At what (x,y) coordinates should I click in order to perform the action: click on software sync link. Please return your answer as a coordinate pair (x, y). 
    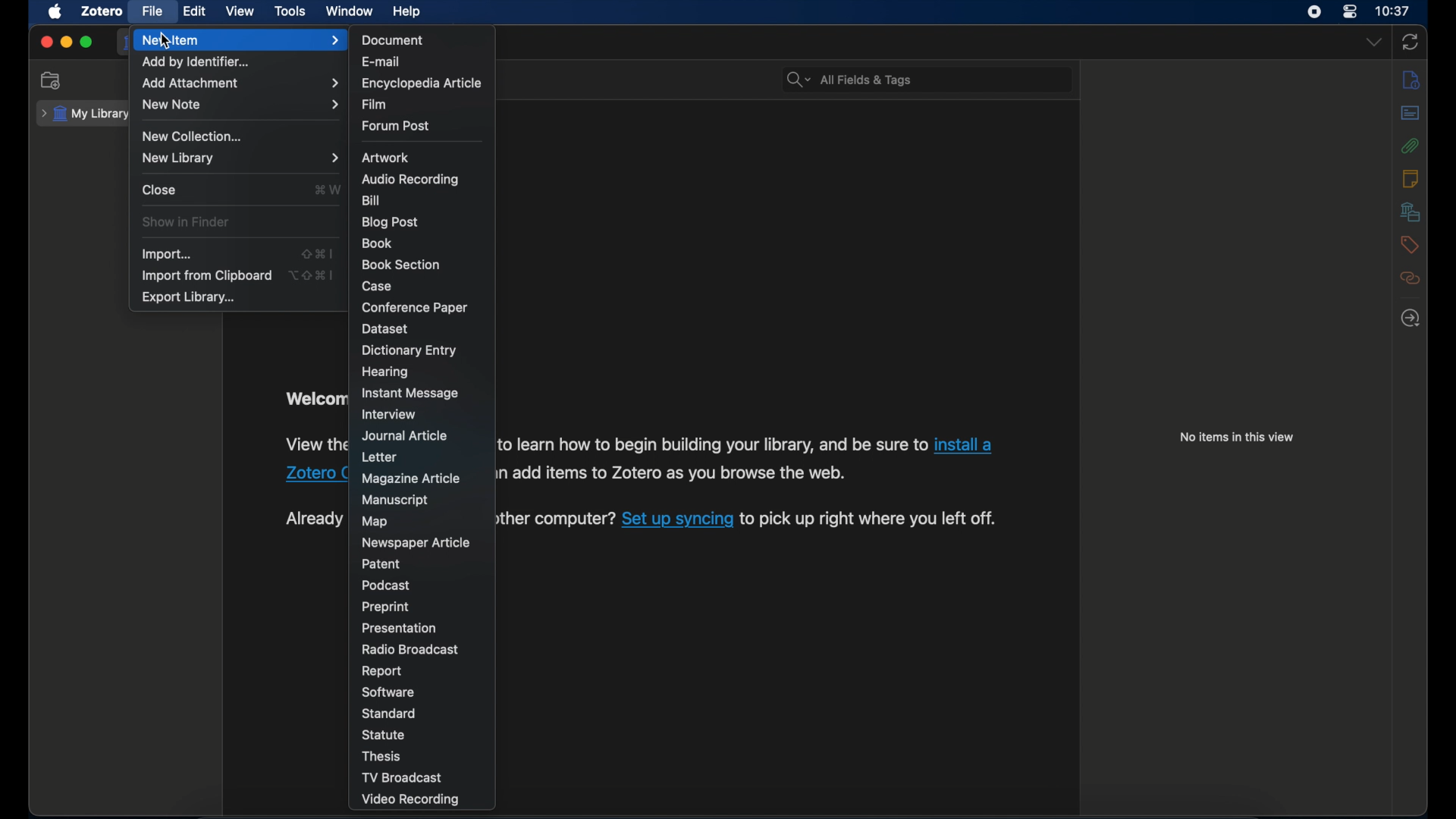
    Looking at the image, I should click on (676, 519).